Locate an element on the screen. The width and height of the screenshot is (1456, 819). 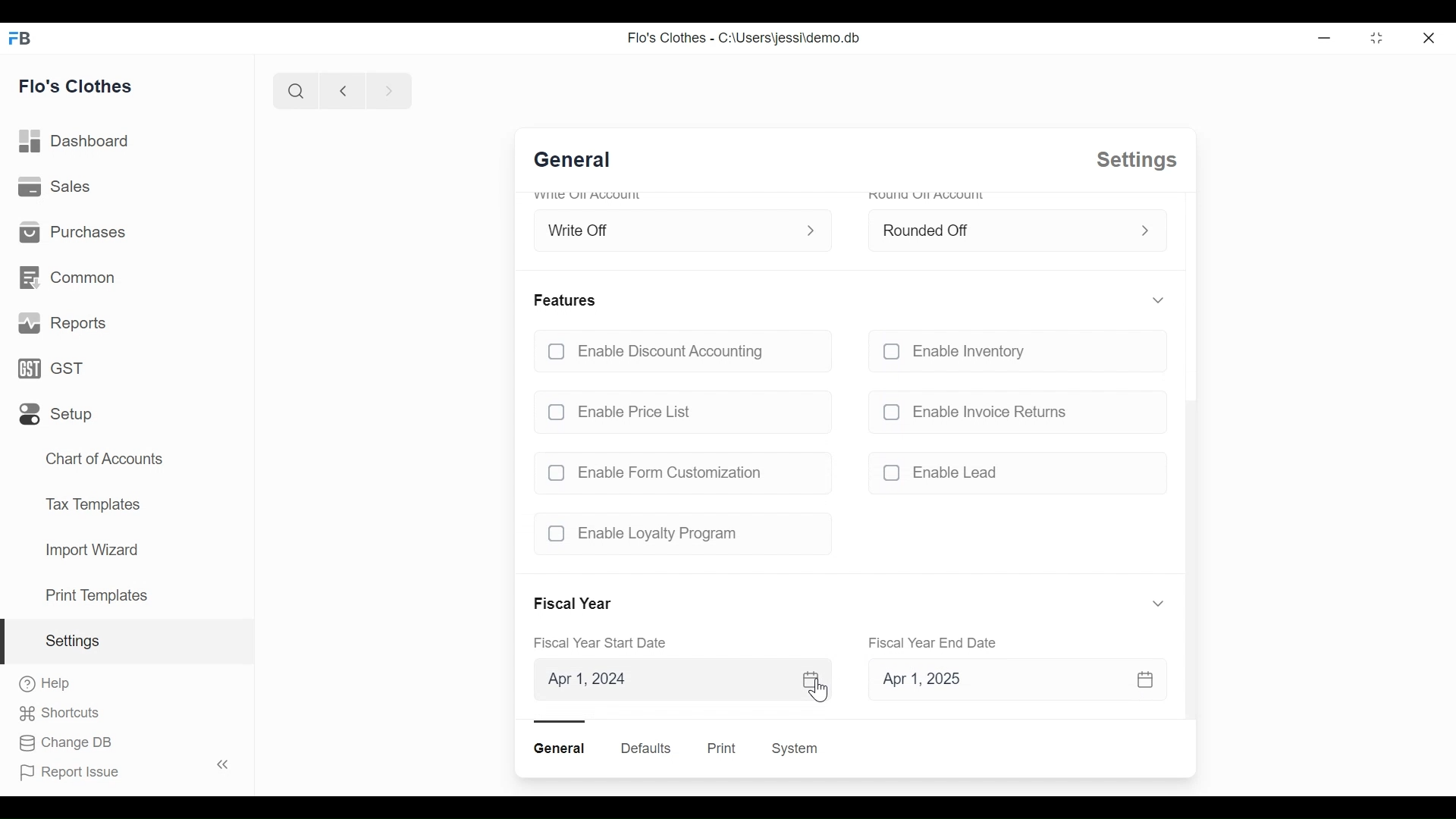
General is located at coordinates (580, 162).